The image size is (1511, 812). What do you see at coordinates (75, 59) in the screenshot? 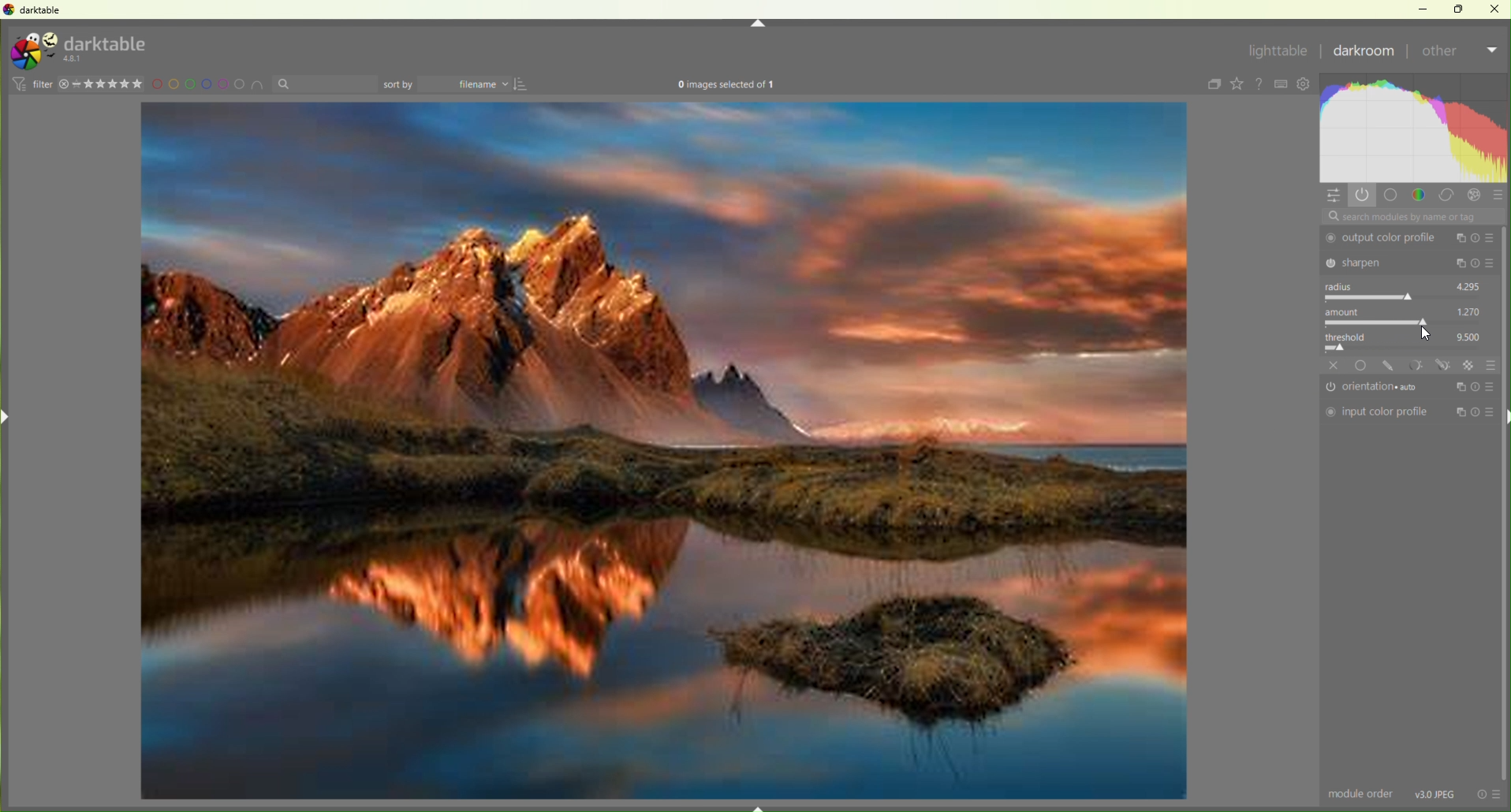
I see `version` at bounding box center [75, 59].